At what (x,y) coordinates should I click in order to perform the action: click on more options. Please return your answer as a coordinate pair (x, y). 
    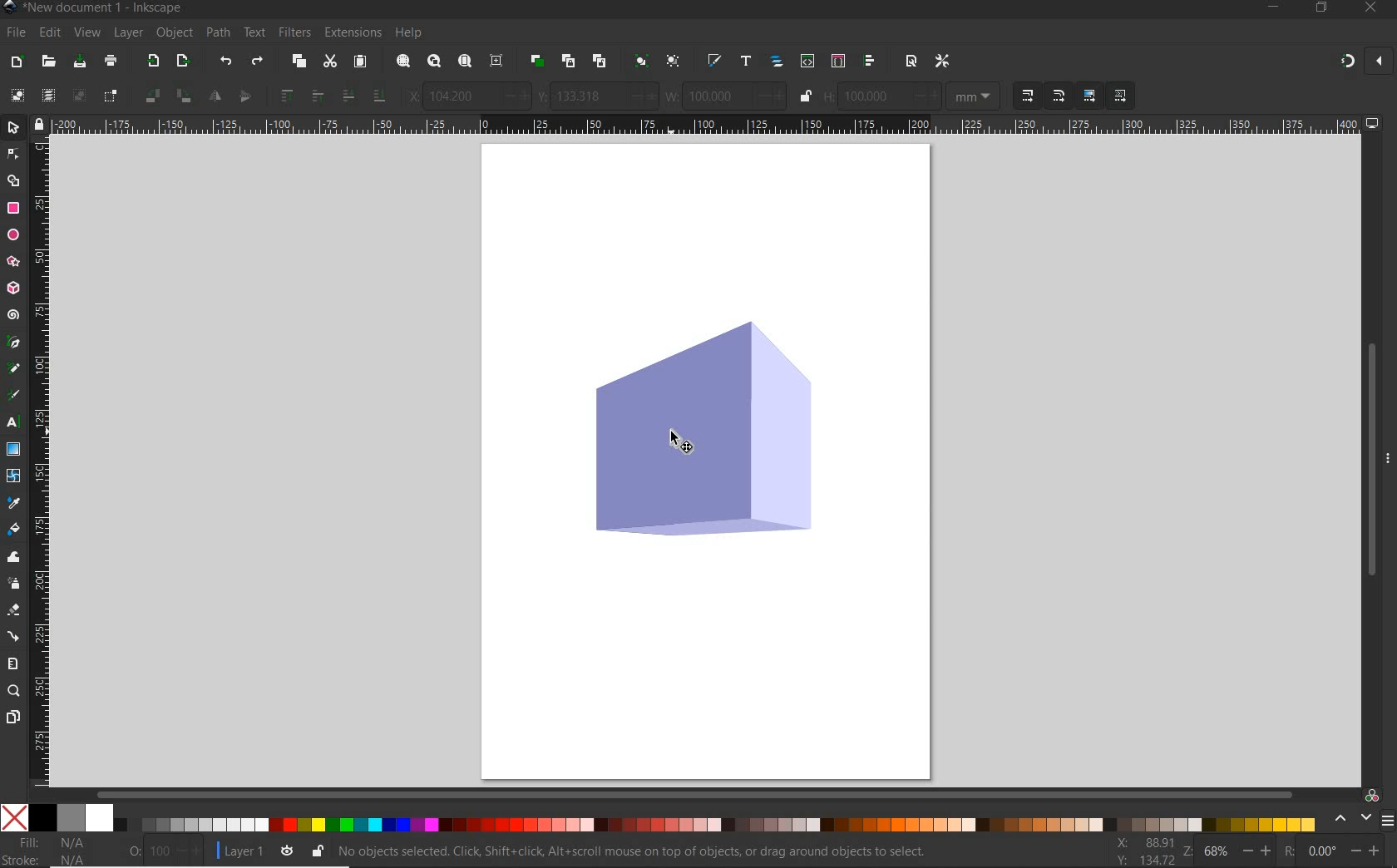
    Looking at the image, I should click on (1387, 460).